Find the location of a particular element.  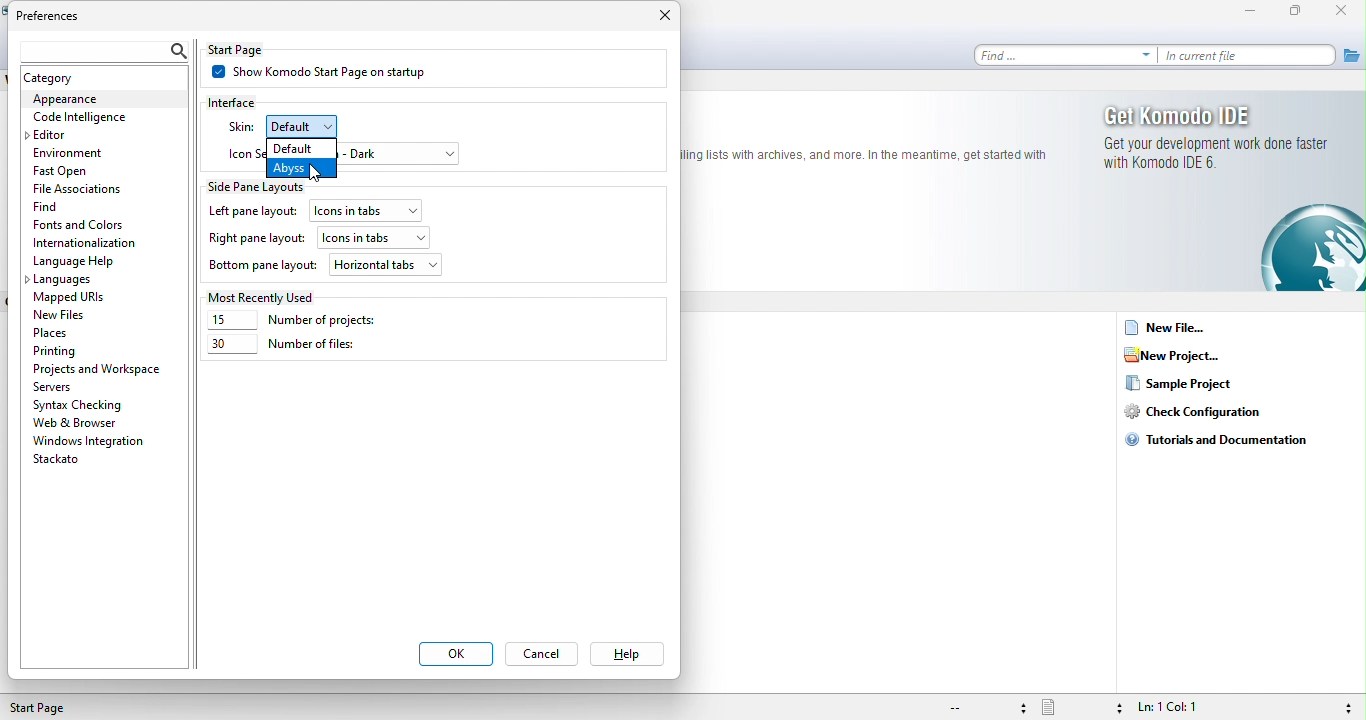

start page is located at coordinates (48, 708).